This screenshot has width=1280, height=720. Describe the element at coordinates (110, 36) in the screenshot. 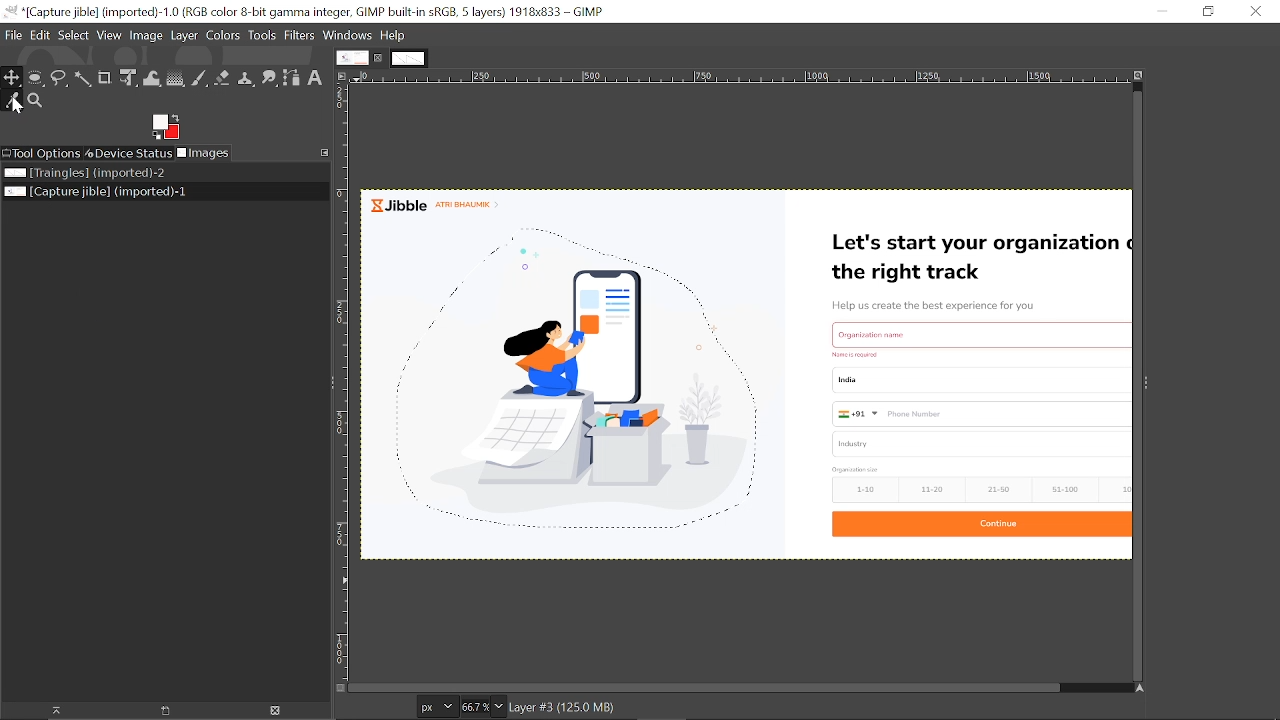

I see `View` at that location.